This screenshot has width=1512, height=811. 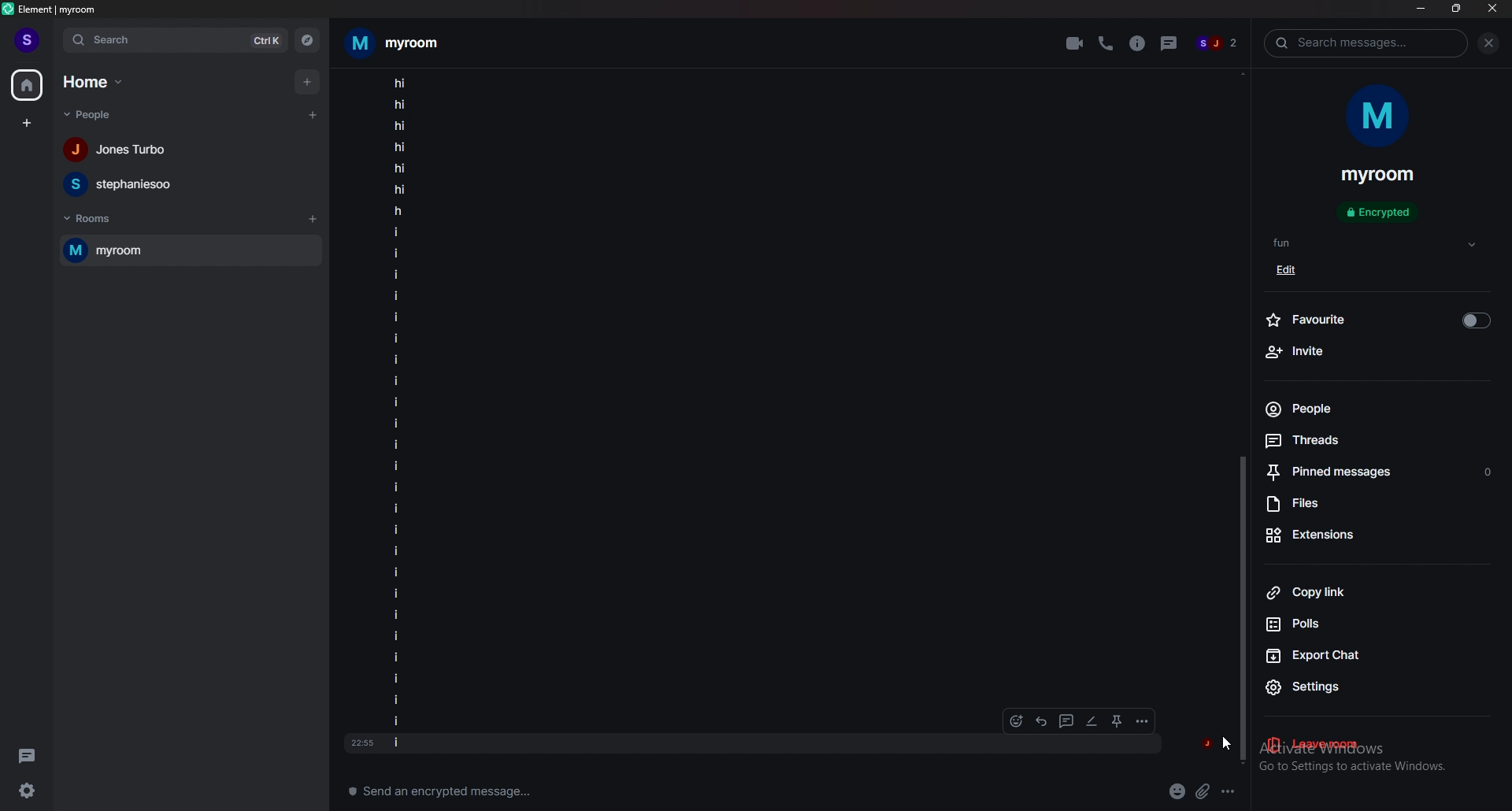 I want to click on reply, so click(x=1043, y=721).